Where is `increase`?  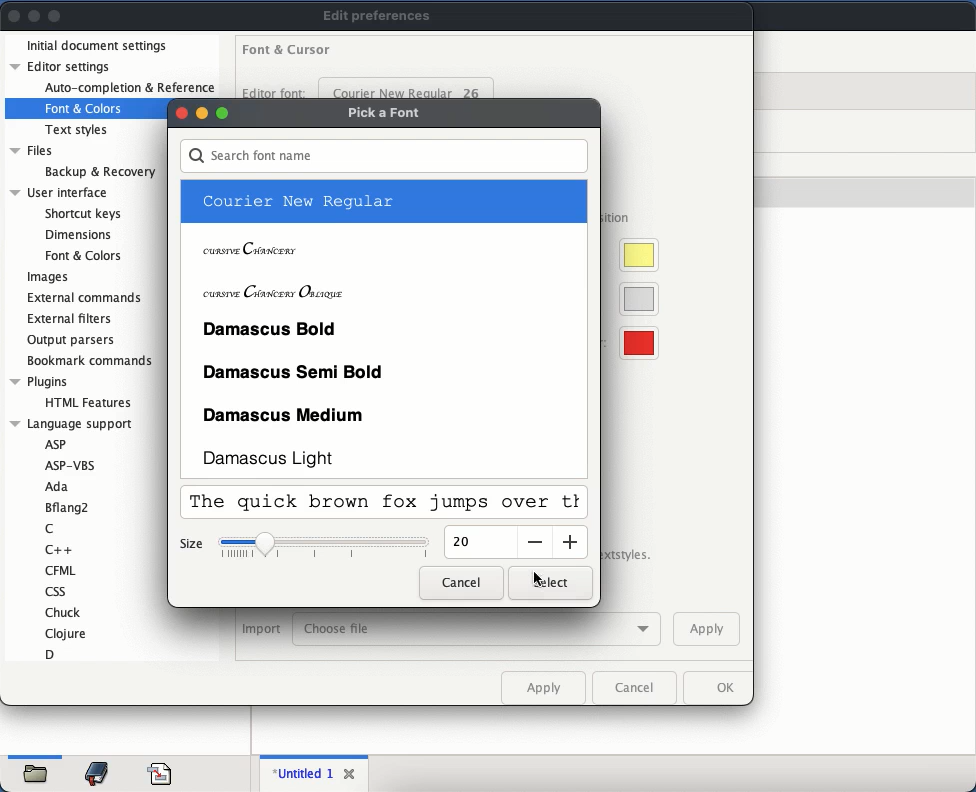 increase is located at coordinates (571, 541).